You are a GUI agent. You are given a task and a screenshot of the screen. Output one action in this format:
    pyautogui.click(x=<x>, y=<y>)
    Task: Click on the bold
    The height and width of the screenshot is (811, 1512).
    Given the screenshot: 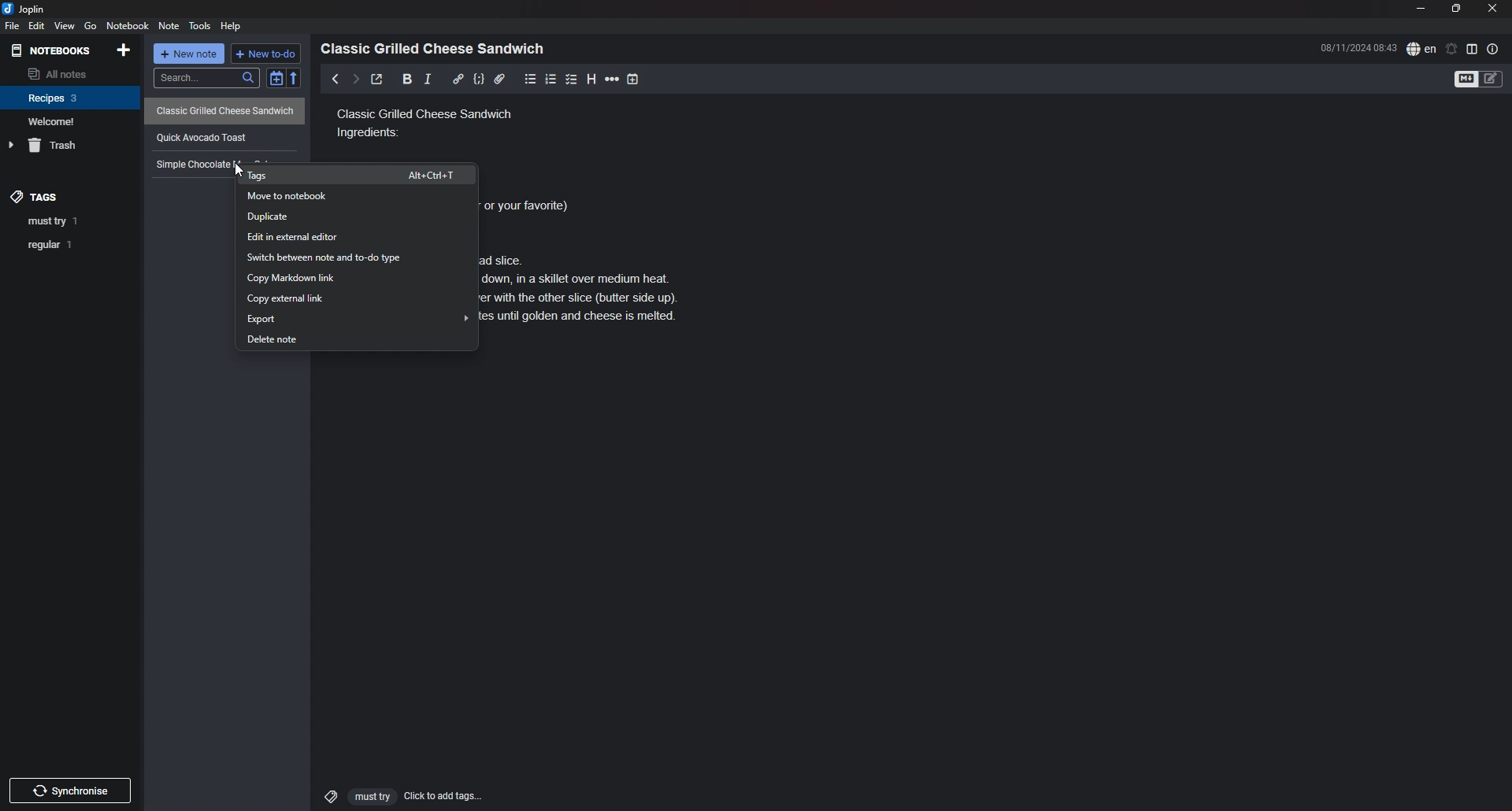 What is the action you would take?
    pyautogui.click(x=402, y=80)
    